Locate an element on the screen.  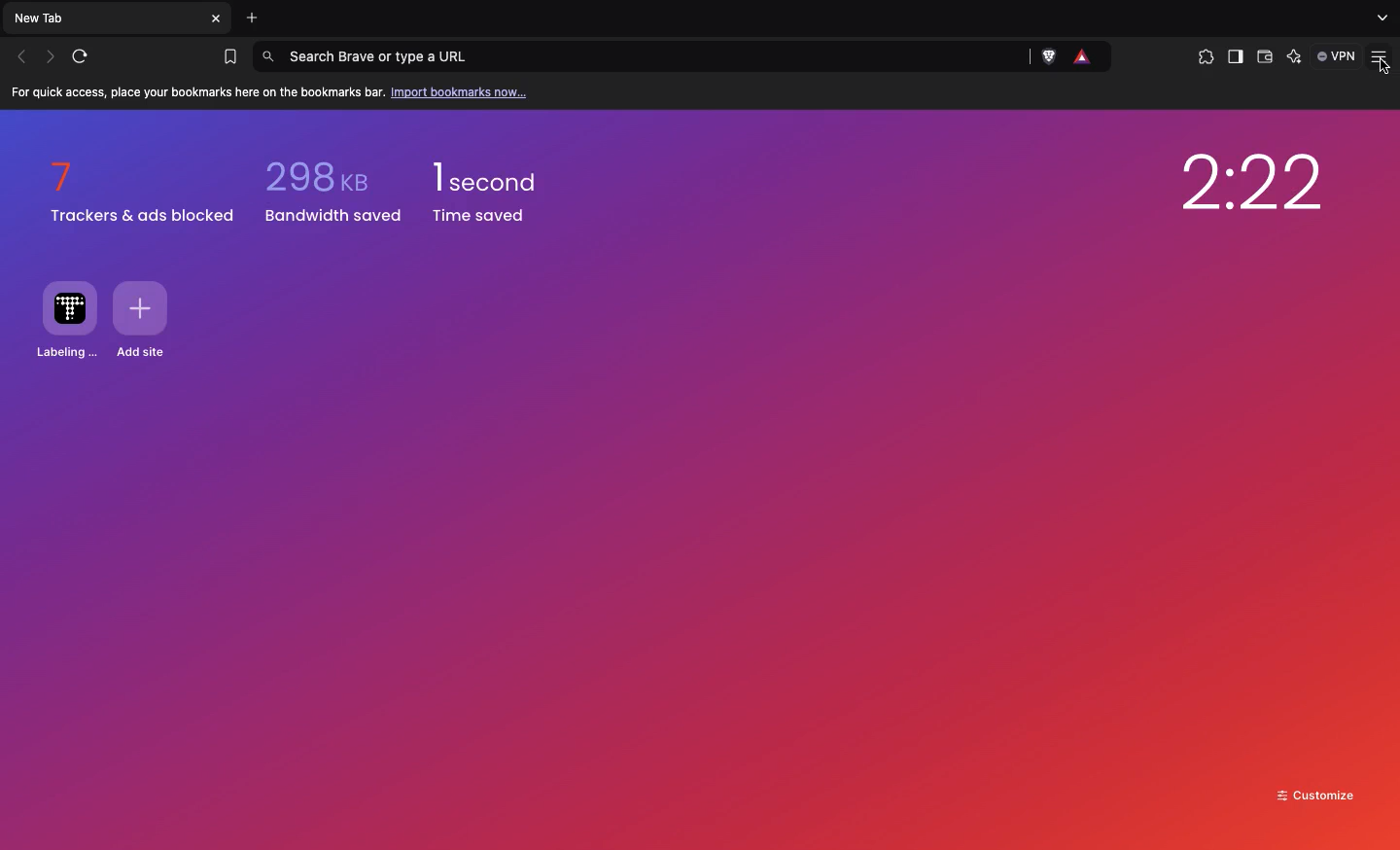
Sidebar is located at coordinates (1234, 58).